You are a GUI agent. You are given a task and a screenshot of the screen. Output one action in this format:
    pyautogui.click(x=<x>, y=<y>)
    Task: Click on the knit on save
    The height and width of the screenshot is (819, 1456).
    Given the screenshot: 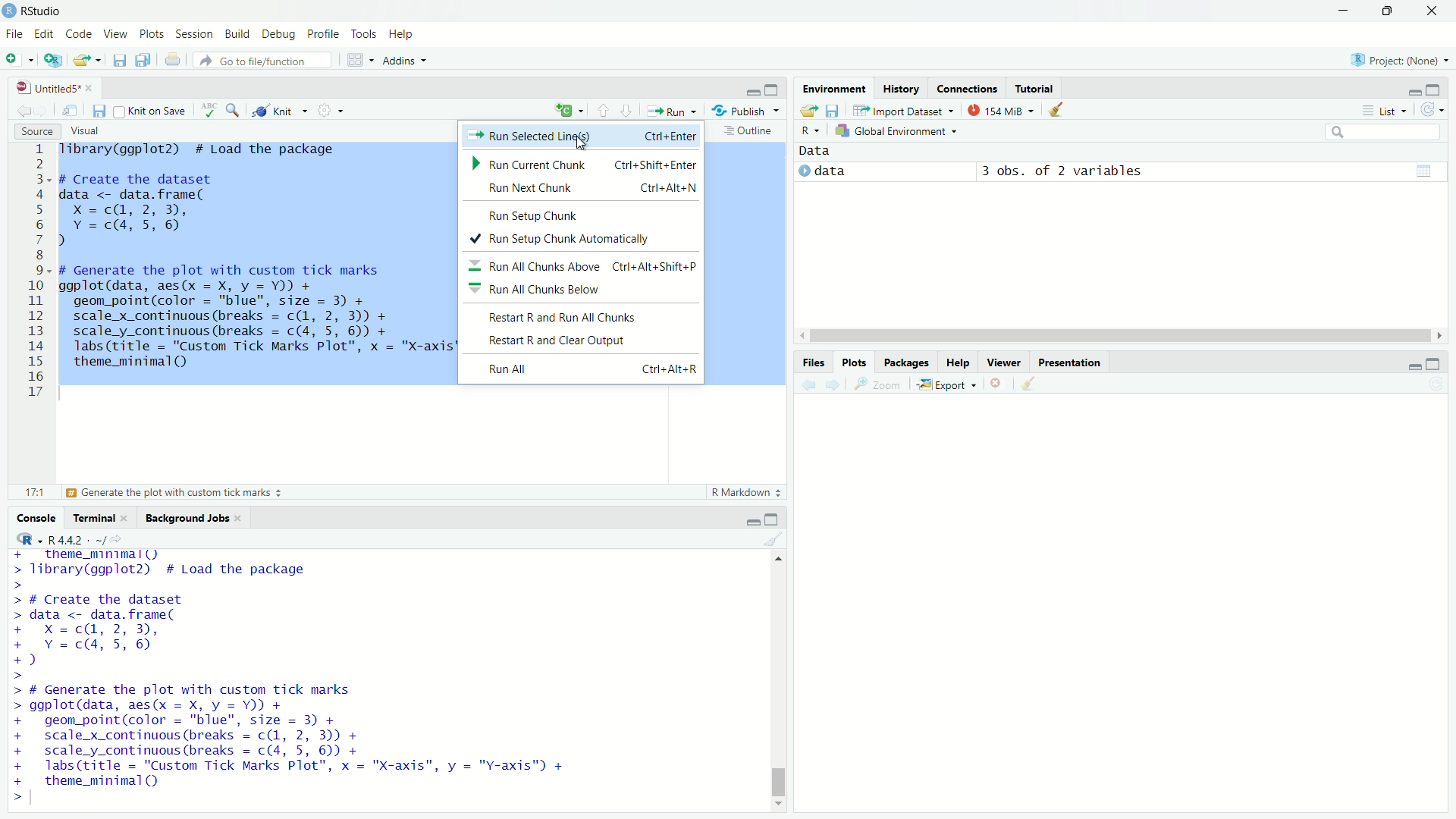 What is the action you would take?
    pyautogui.click(x=155, y=110)
    